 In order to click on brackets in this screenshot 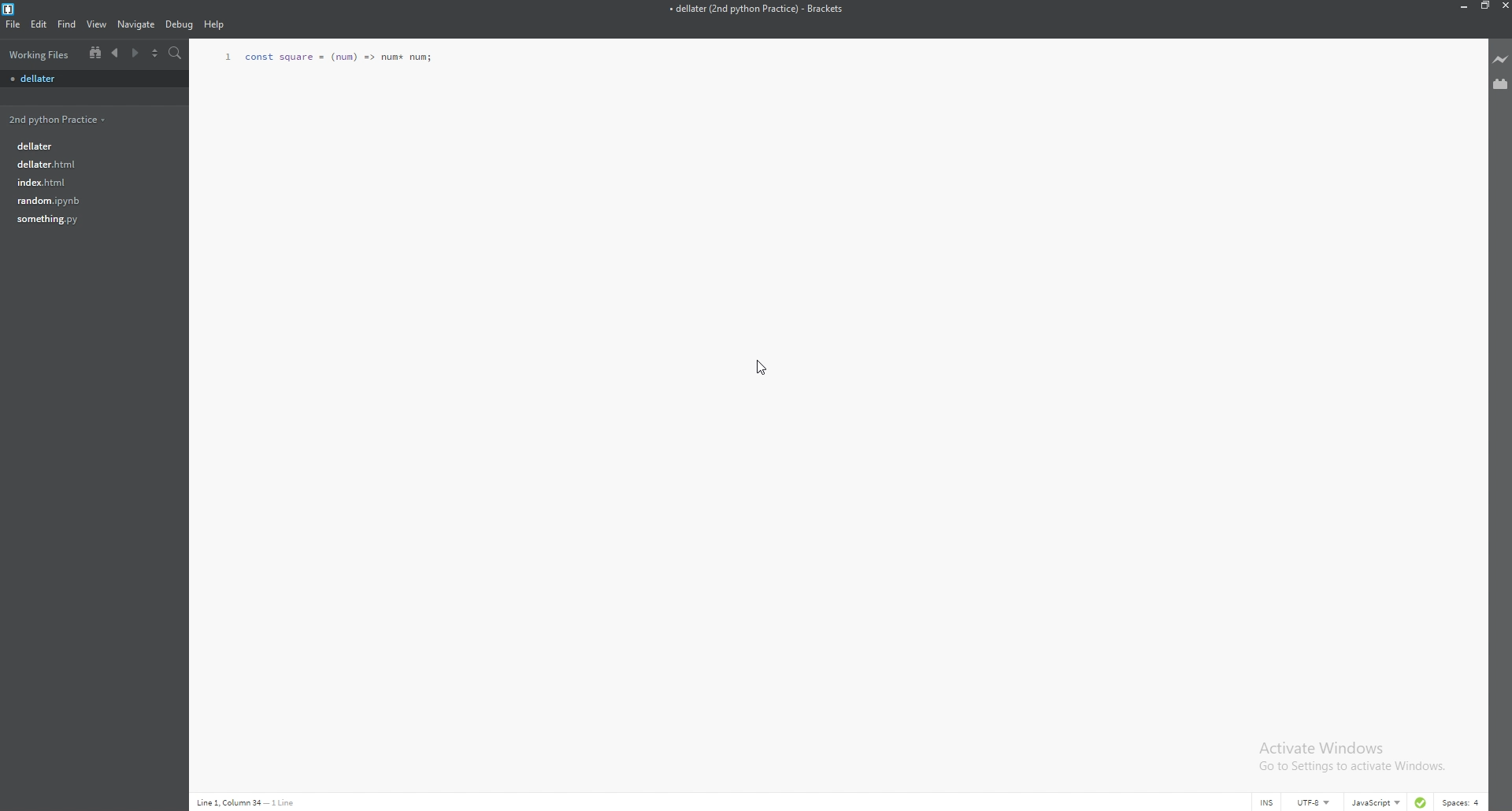, I will do `click(9, 9)`.